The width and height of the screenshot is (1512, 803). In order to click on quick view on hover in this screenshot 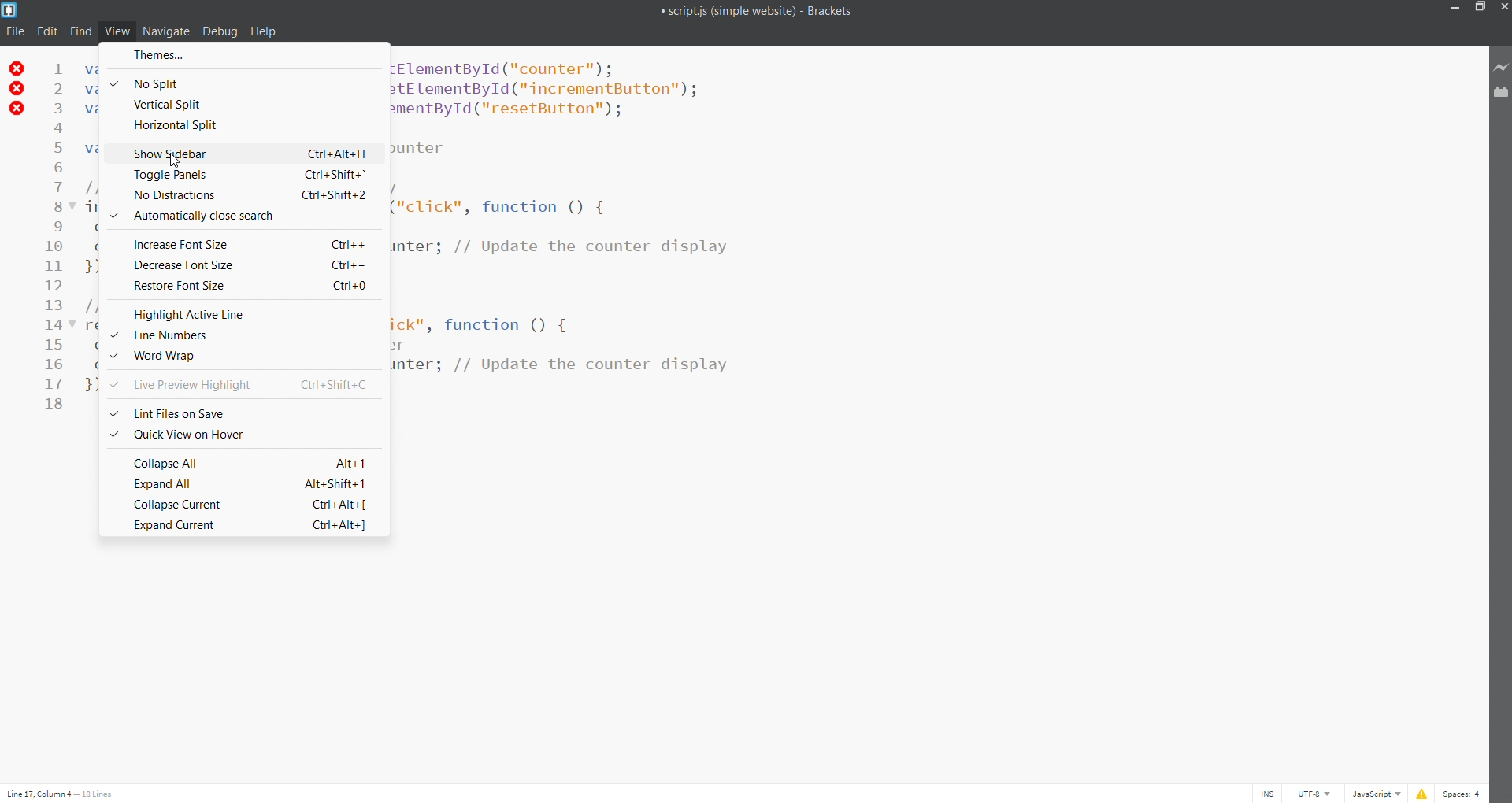, I will do `click(178, 434)`.